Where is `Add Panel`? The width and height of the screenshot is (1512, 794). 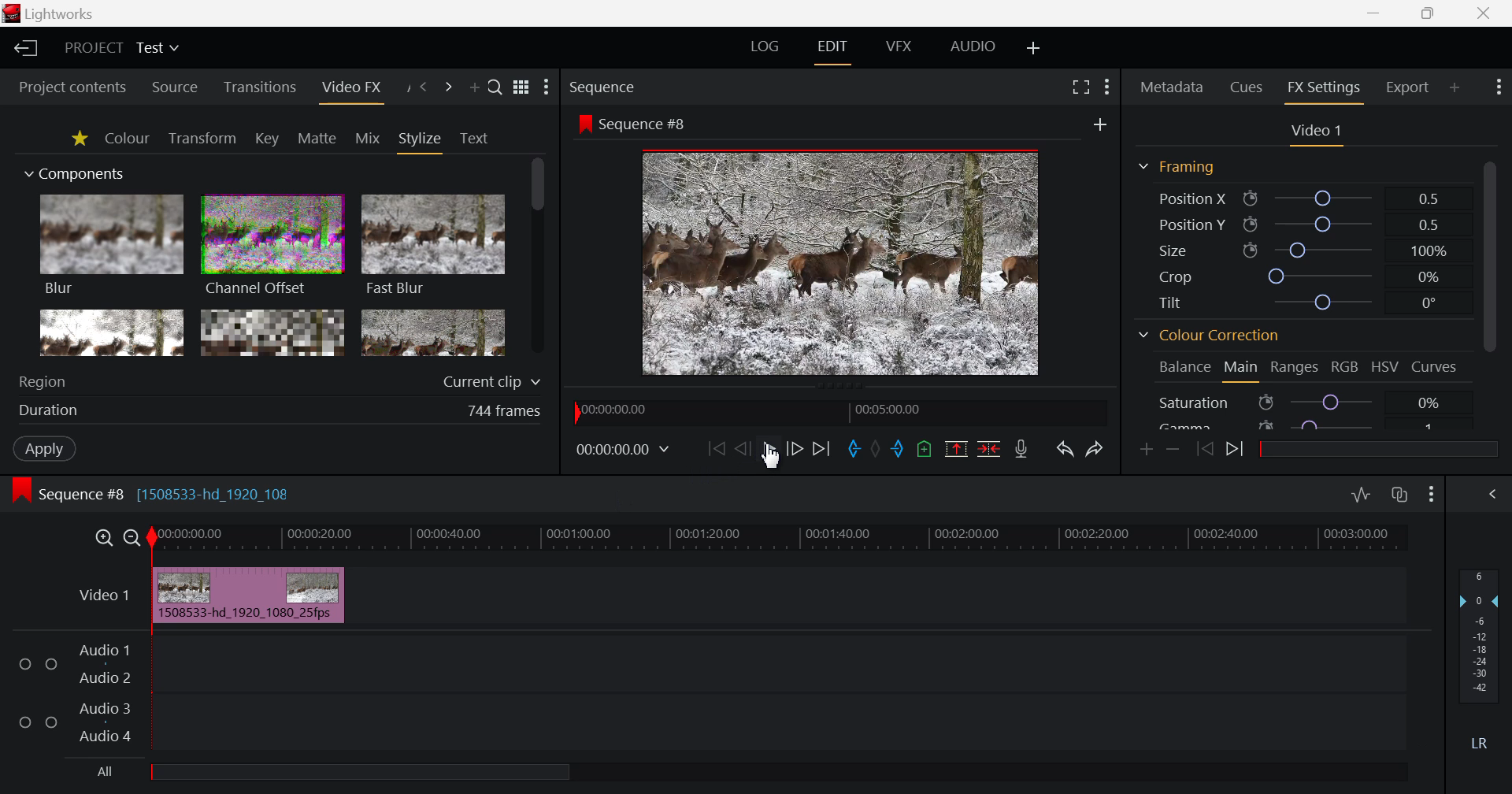
Add Panel is located at coordinates (474, 87).